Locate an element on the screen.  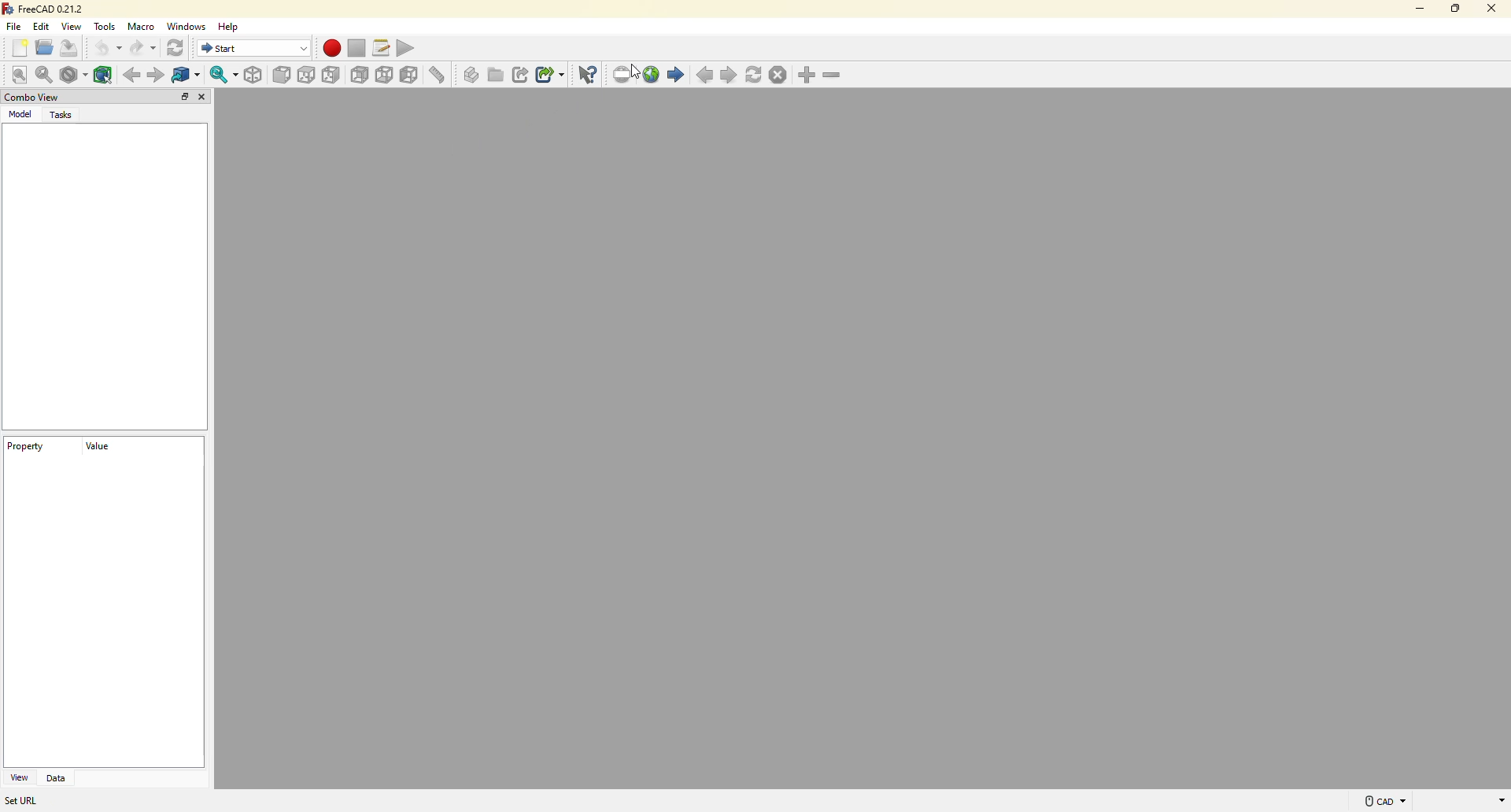
forward is located at coordinates (156, 76).